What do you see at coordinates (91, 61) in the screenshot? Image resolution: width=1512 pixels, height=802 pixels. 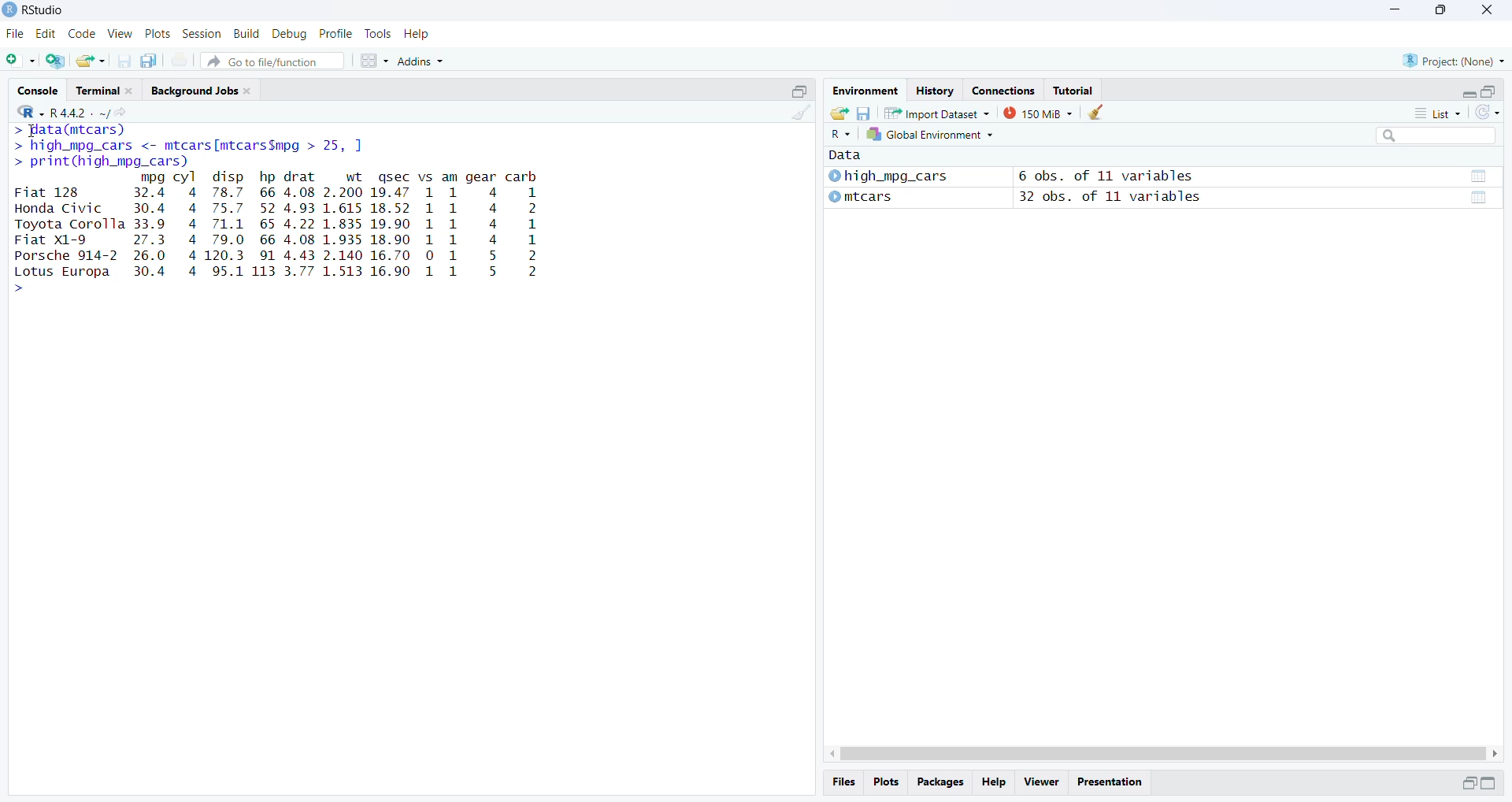 I see `open existing file` at bounding box center [91, 61].